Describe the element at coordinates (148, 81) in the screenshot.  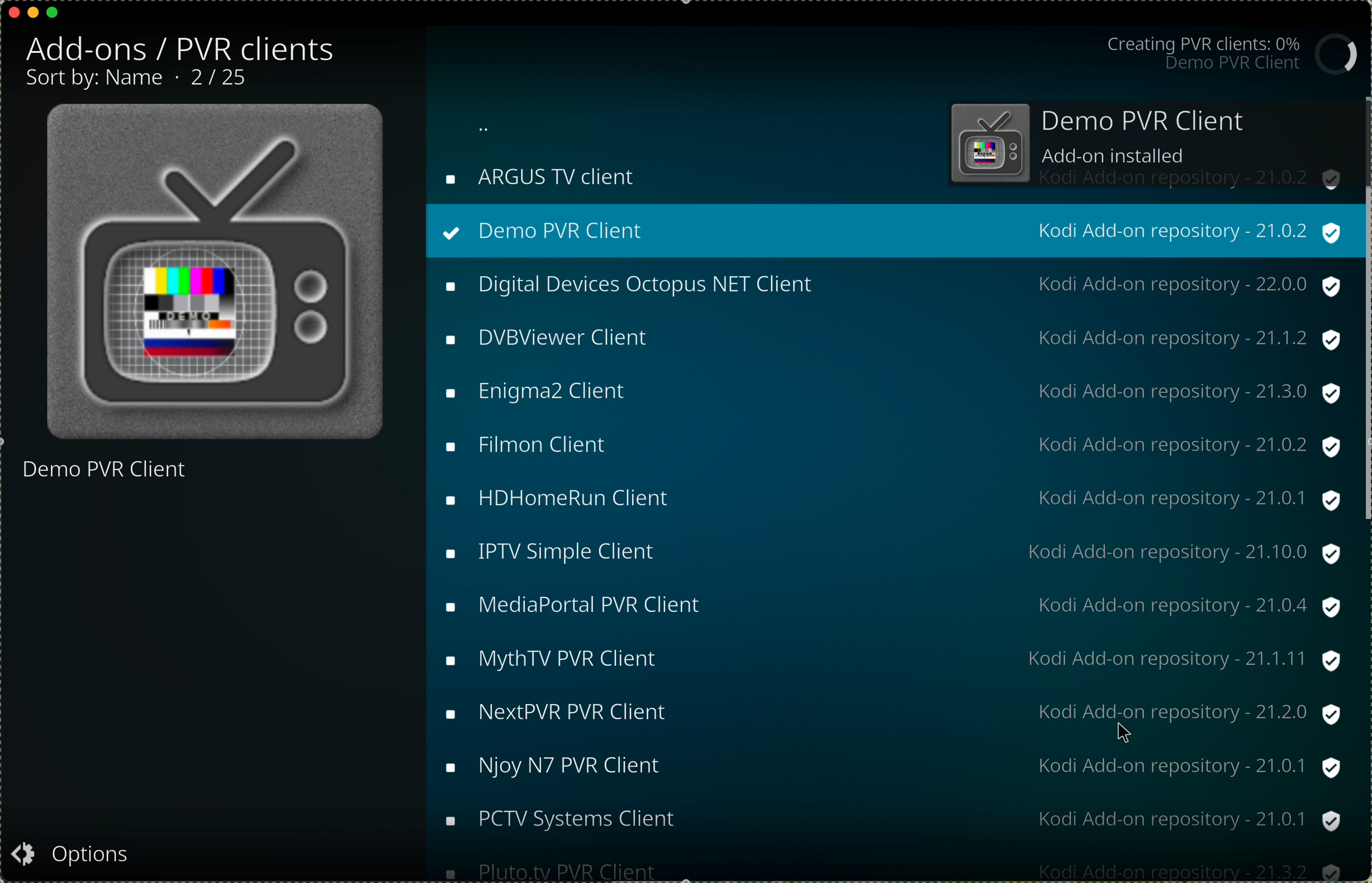
I see `Sort by: Name 2/25` at that location.